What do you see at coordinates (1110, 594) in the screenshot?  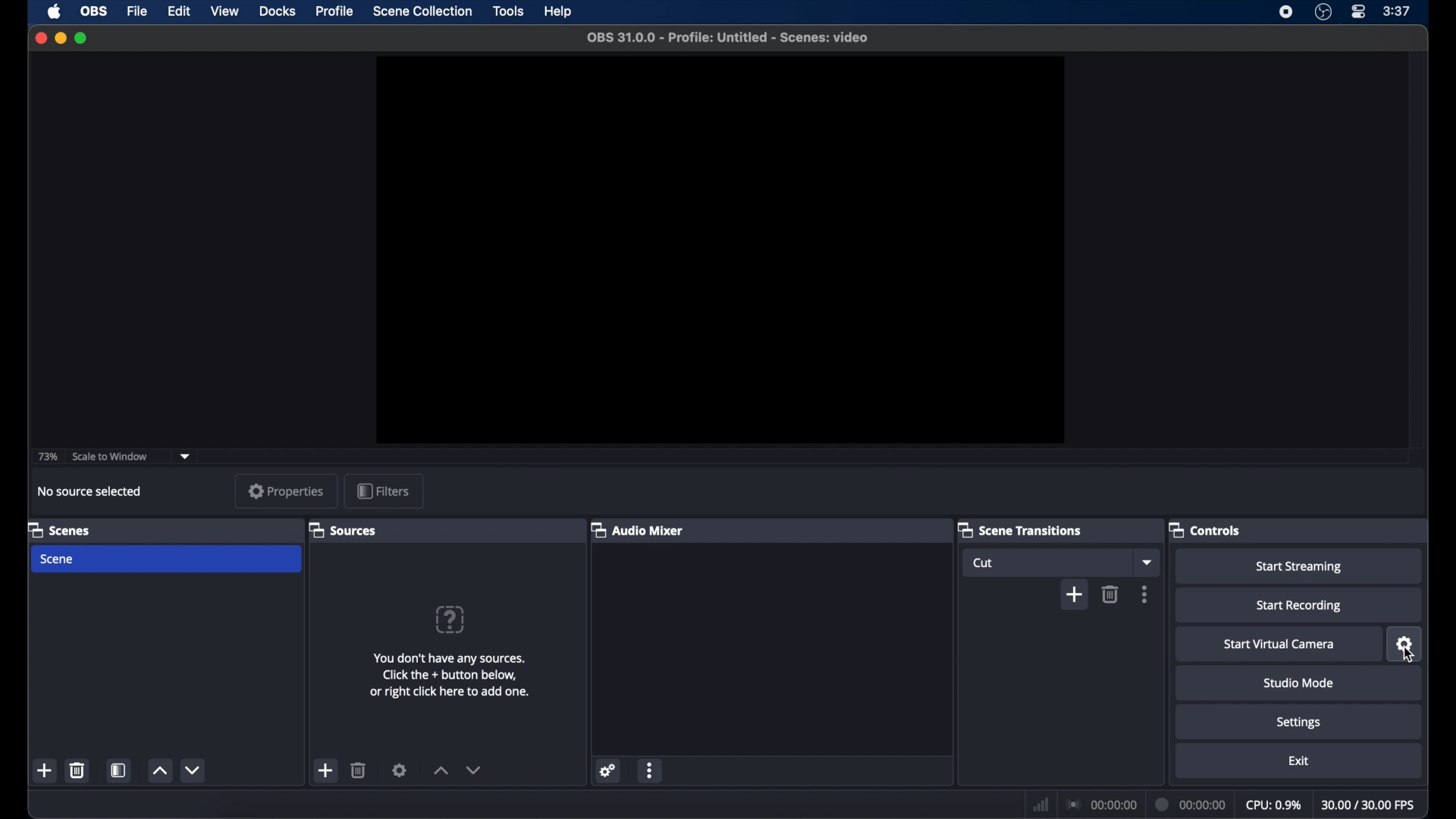 I see `delete` at bounding box center [1110, 594].